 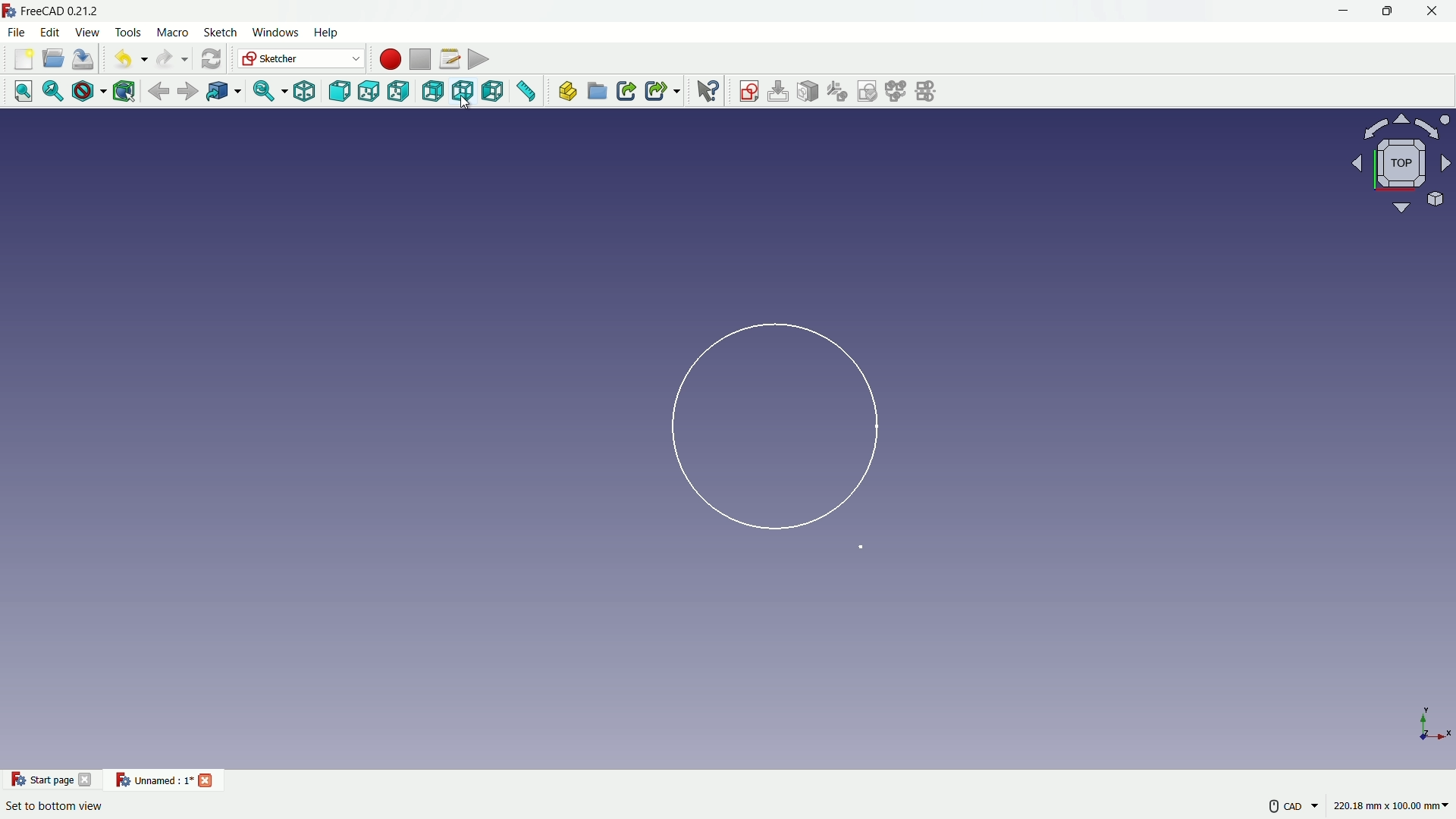 I want to click on macro menu, so click(x=171, y=33).